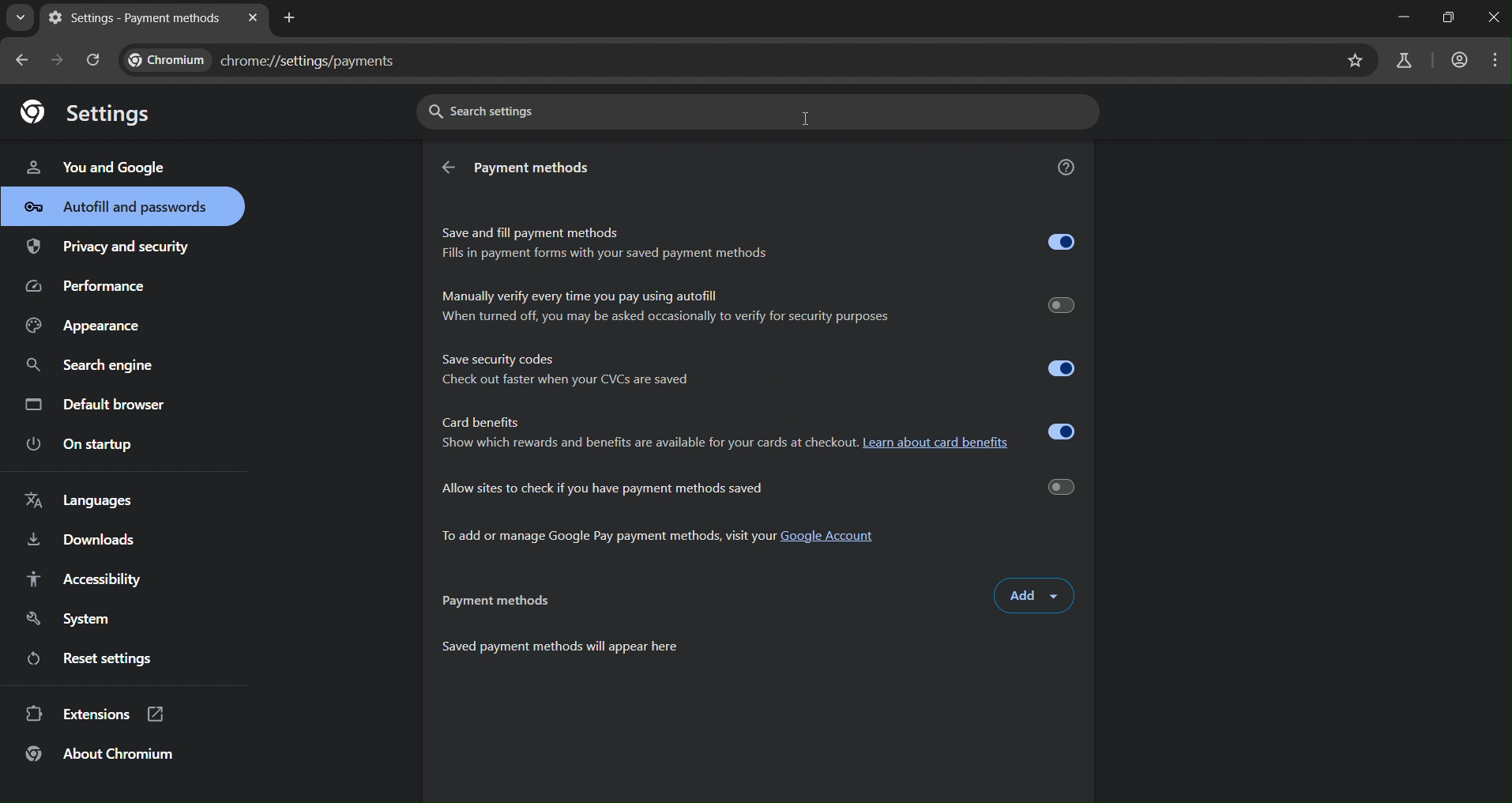 The image size is (1512, 803). What do you see at coordinates (77, 445) in the screenshot?
I see `on startup` at bounding box center [77, 445].